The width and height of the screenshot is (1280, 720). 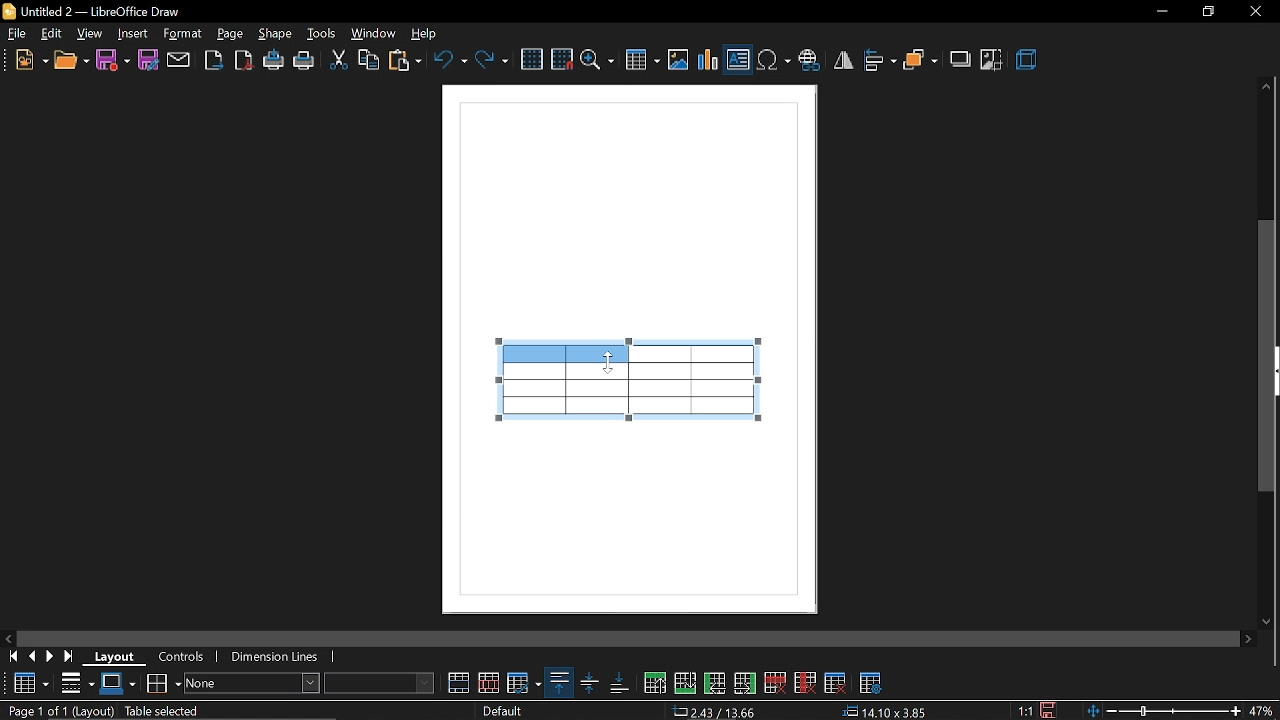 What do you see at coordinates (32, 657) in the screenshot?
I see `previous page` at bounding box center [32, 657].